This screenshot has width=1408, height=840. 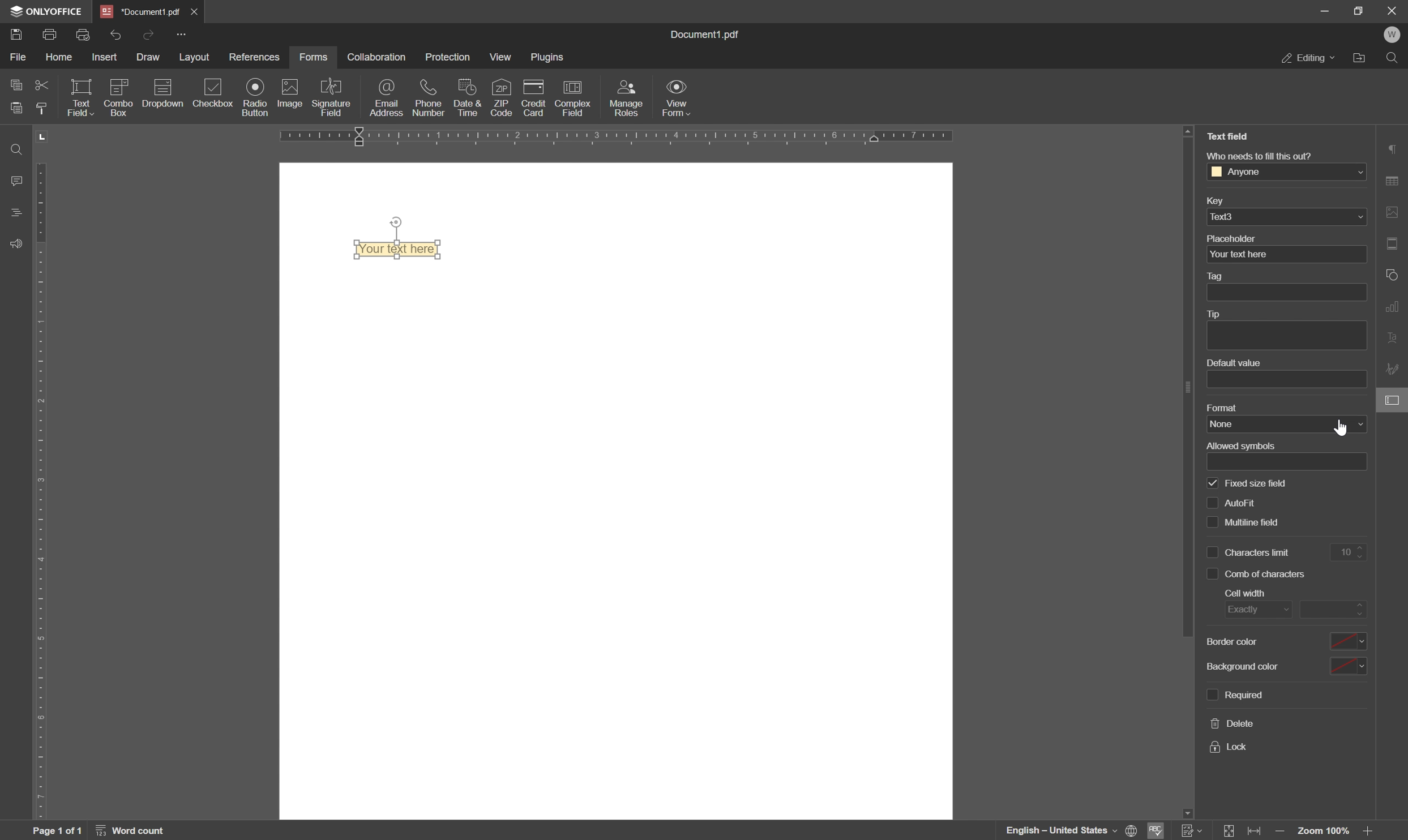 What do you see at coordinates (1393, 274) in the screenshot?
I see `shape settings` at bounding box center [1393, 274].